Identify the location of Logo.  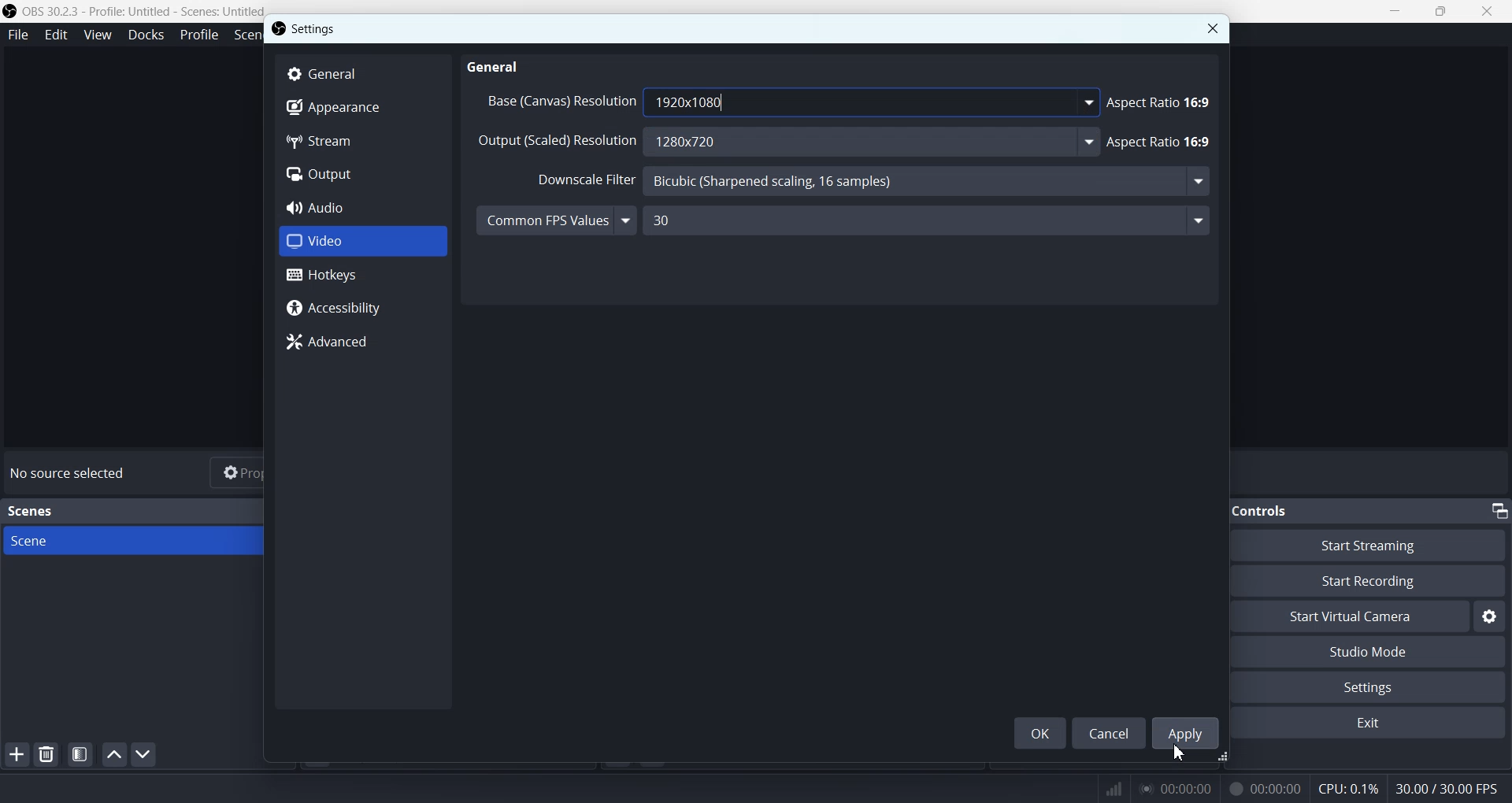
(134, 11).